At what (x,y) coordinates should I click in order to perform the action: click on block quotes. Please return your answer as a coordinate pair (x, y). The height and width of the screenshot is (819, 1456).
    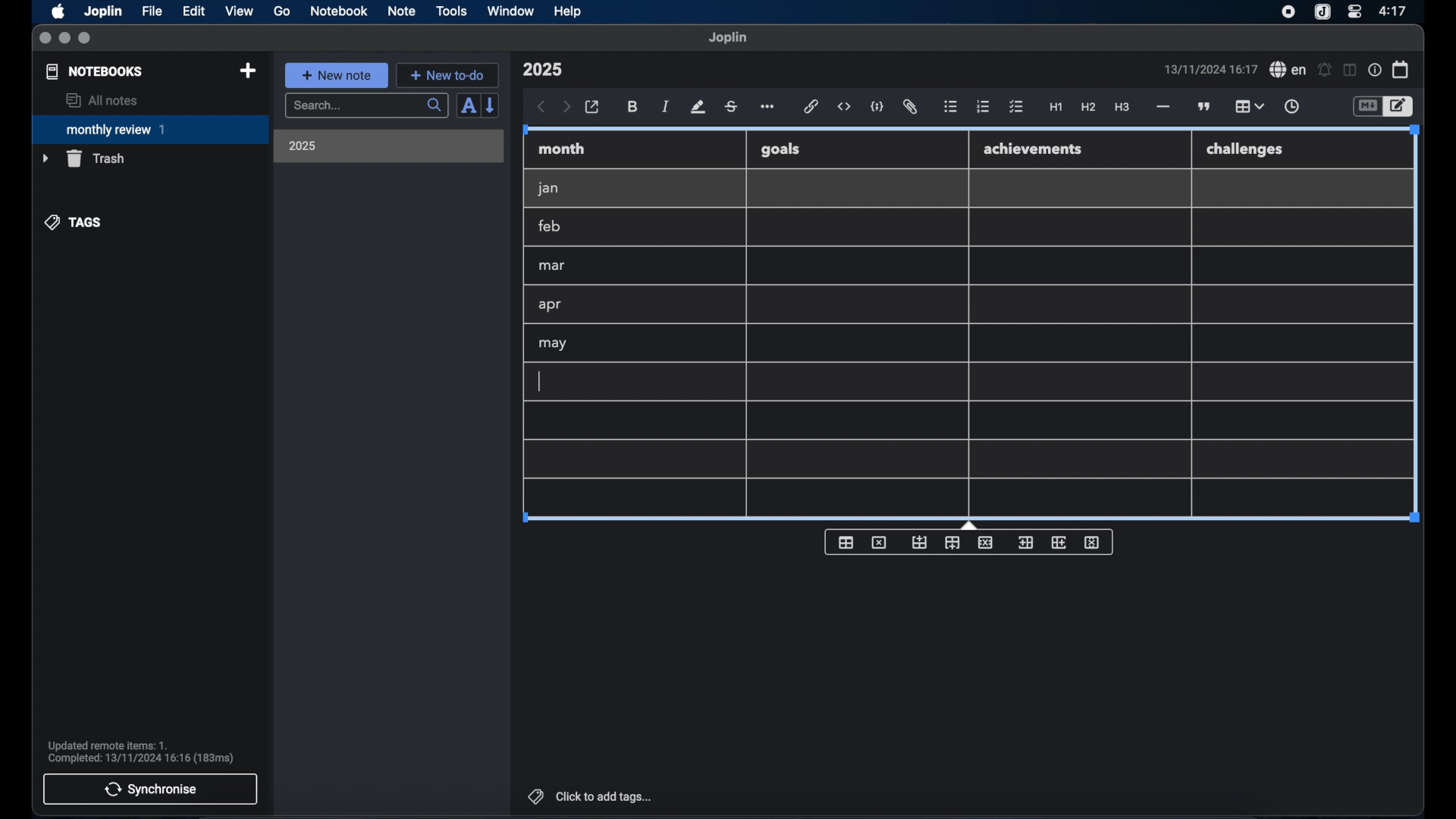
    Looking at the image, I should click on (1205, 107).